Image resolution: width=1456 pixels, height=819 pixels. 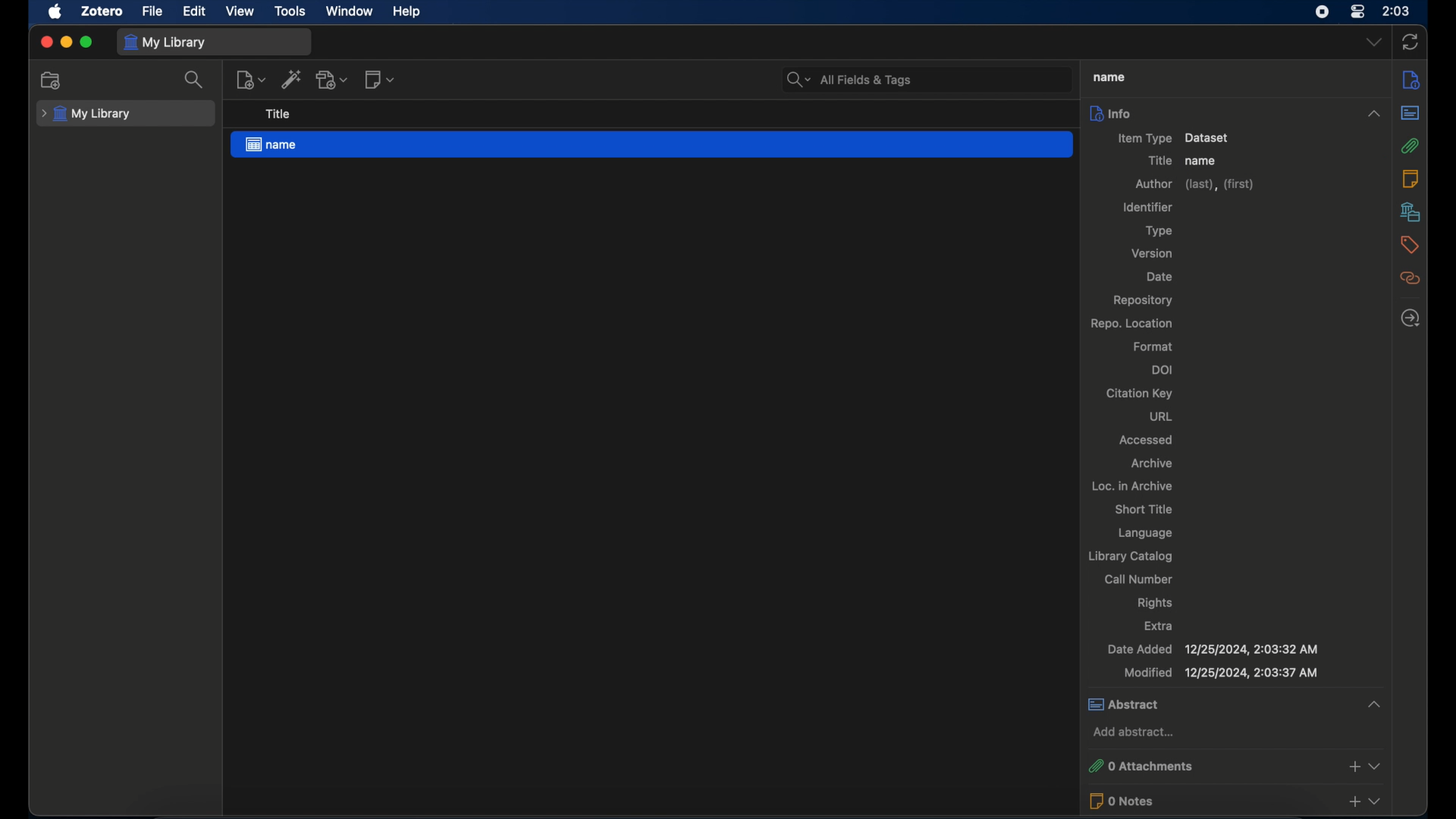 I want to click on 0 attachments, so click(x=1235, y=764).